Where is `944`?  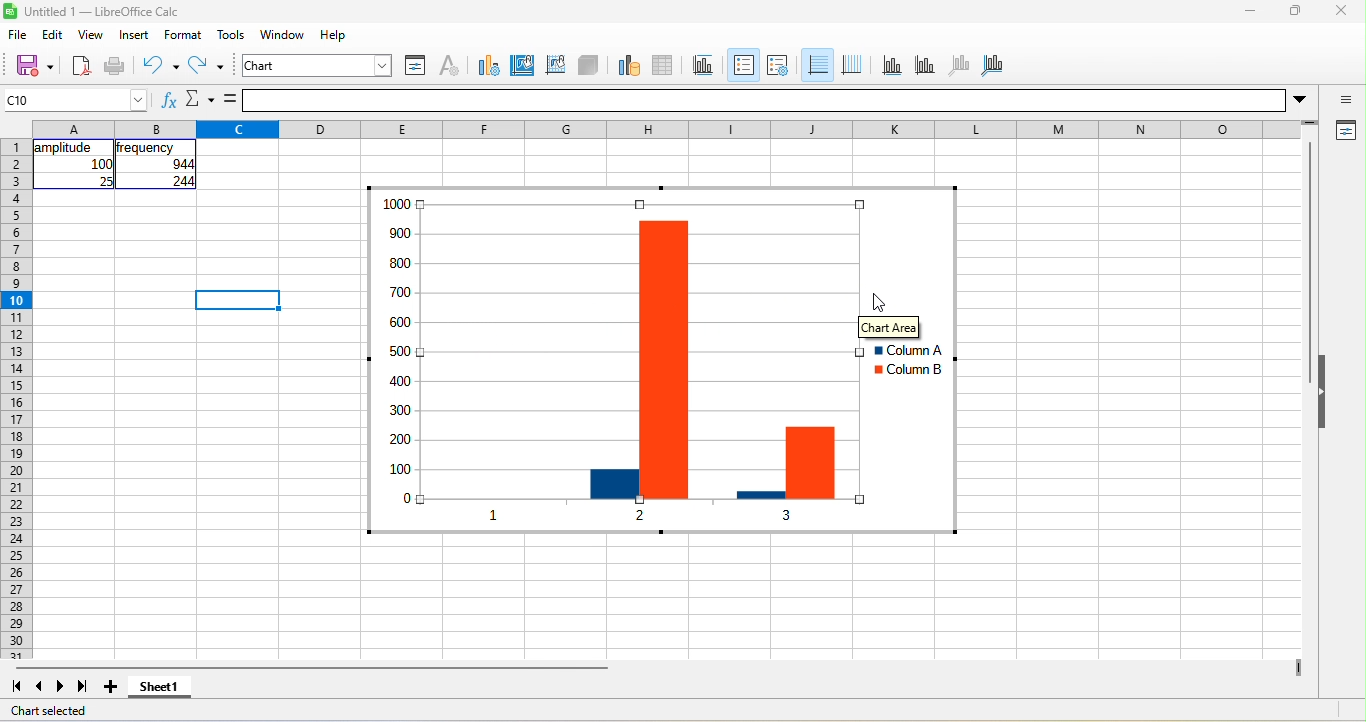
944 is located at coordinates (173, 165).